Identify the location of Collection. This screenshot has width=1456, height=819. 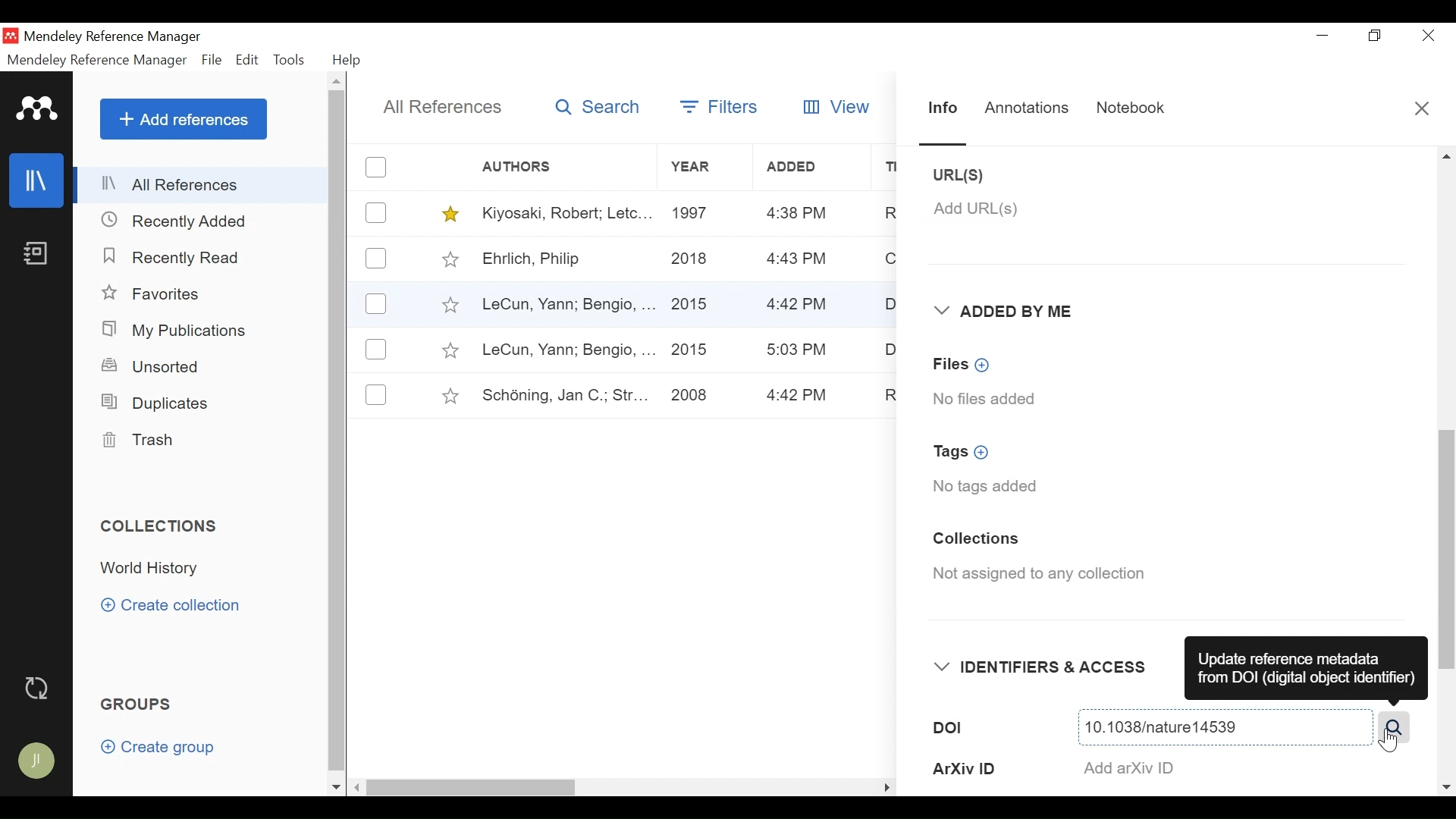
(154, 569).